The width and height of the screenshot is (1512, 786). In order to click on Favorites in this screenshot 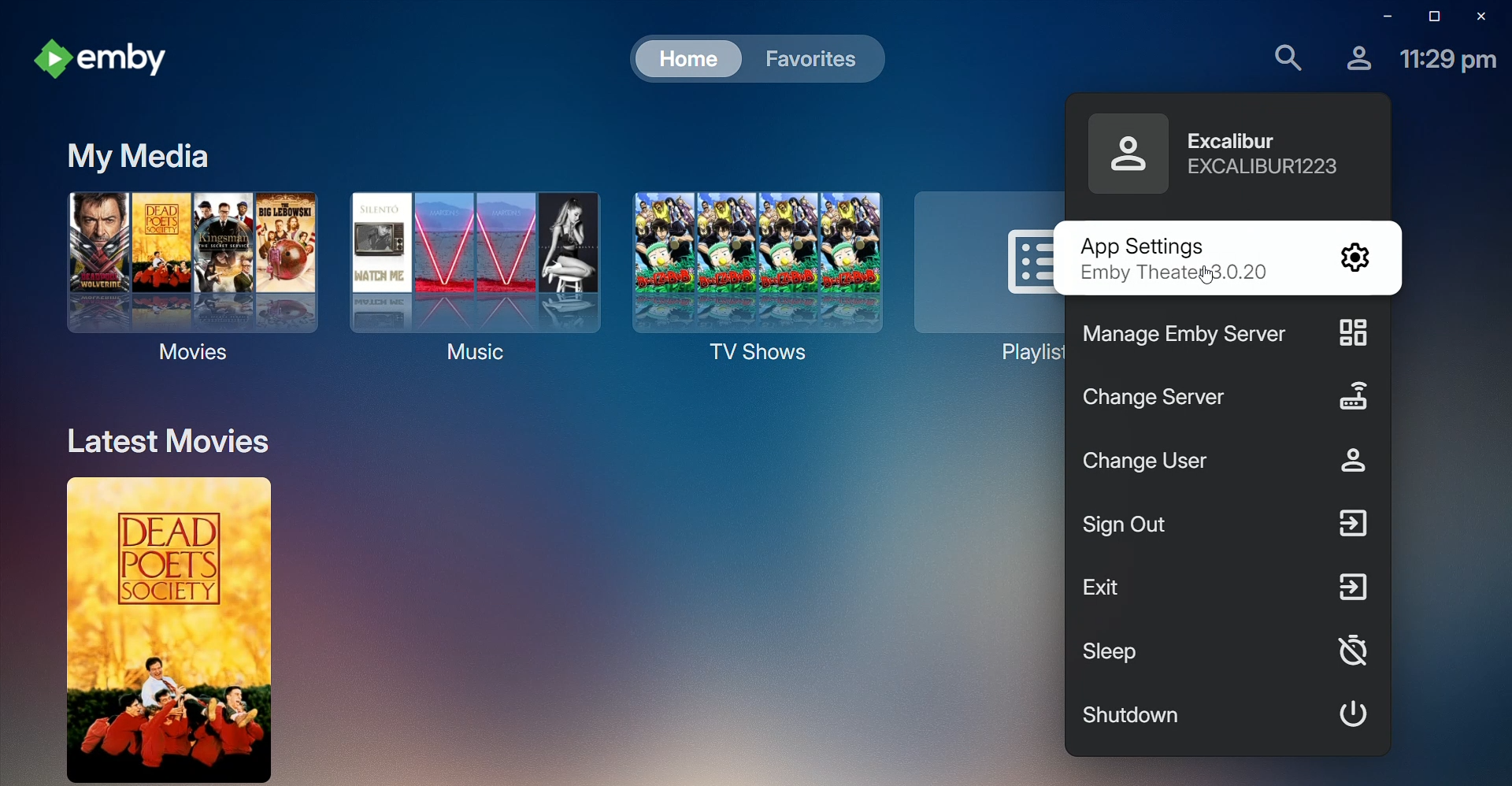, I will do `click(808, 58)`.